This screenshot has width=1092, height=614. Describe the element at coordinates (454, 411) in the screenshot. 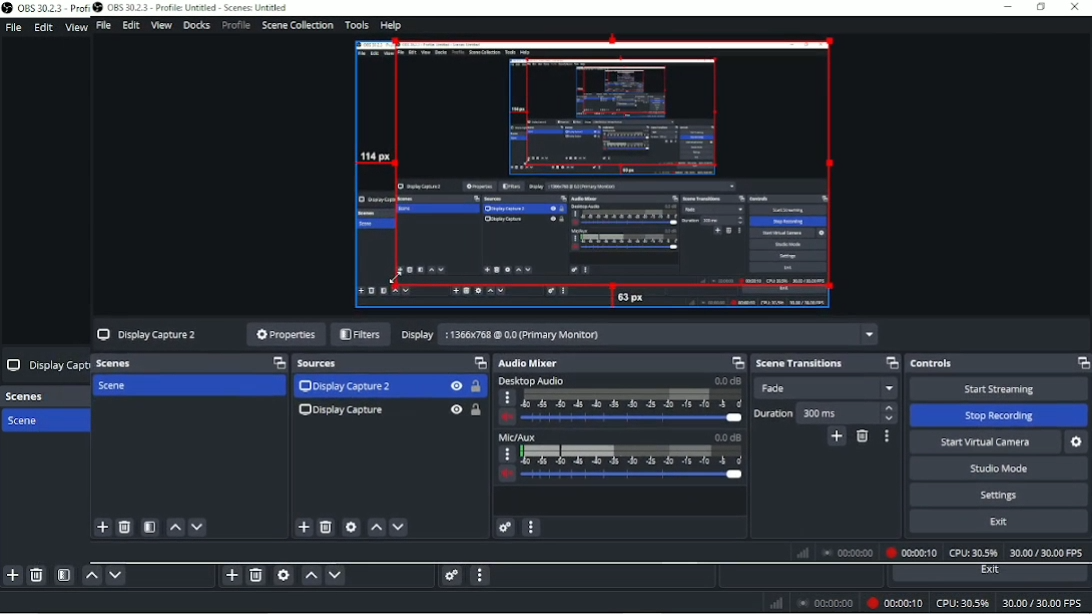

I see `Hide` at that location.